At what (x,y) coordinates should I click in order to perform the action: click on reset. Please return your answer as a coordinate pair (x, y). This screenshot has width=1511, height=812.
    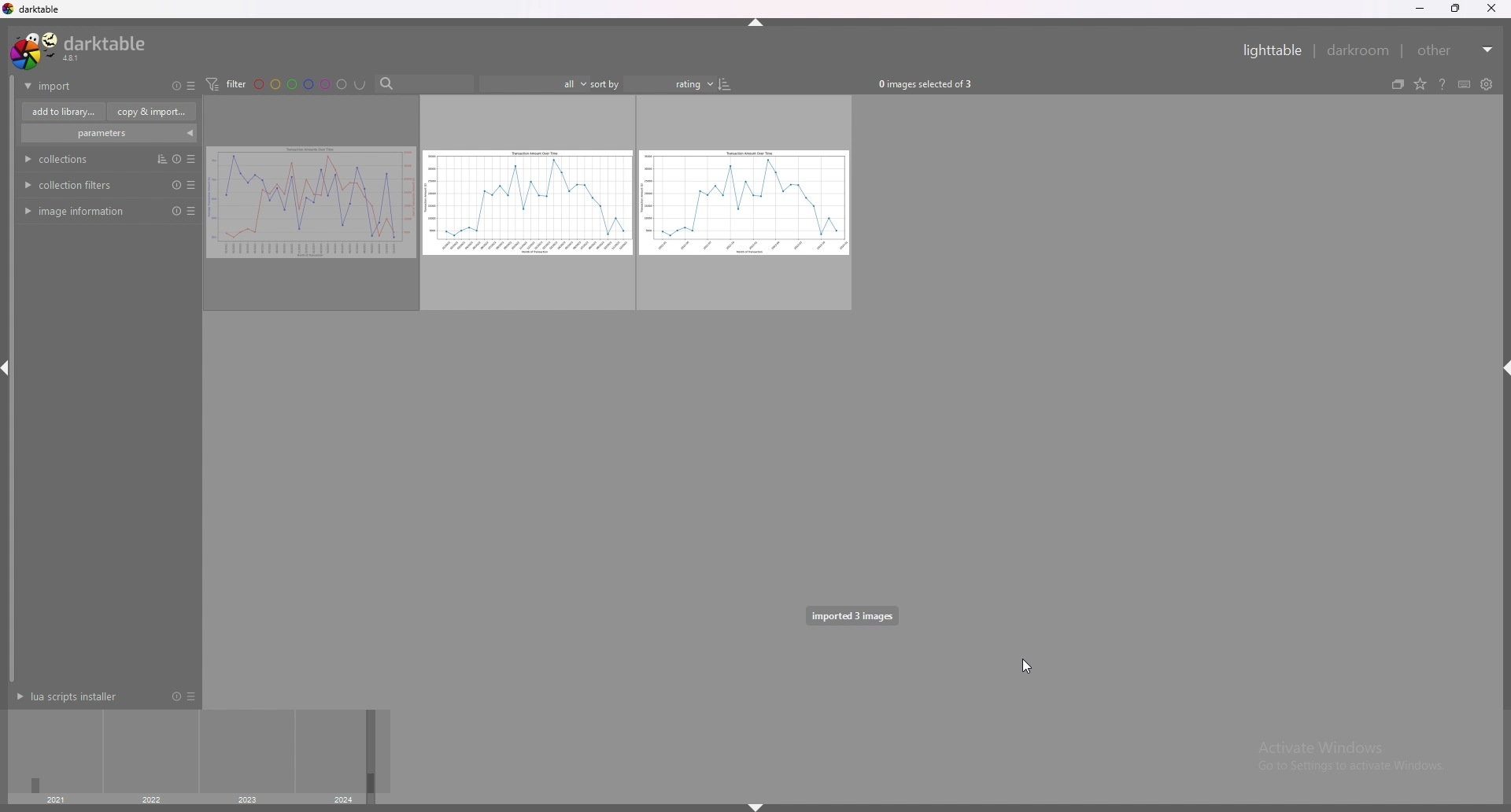
    Looking at the image, I should click on (174, 159).